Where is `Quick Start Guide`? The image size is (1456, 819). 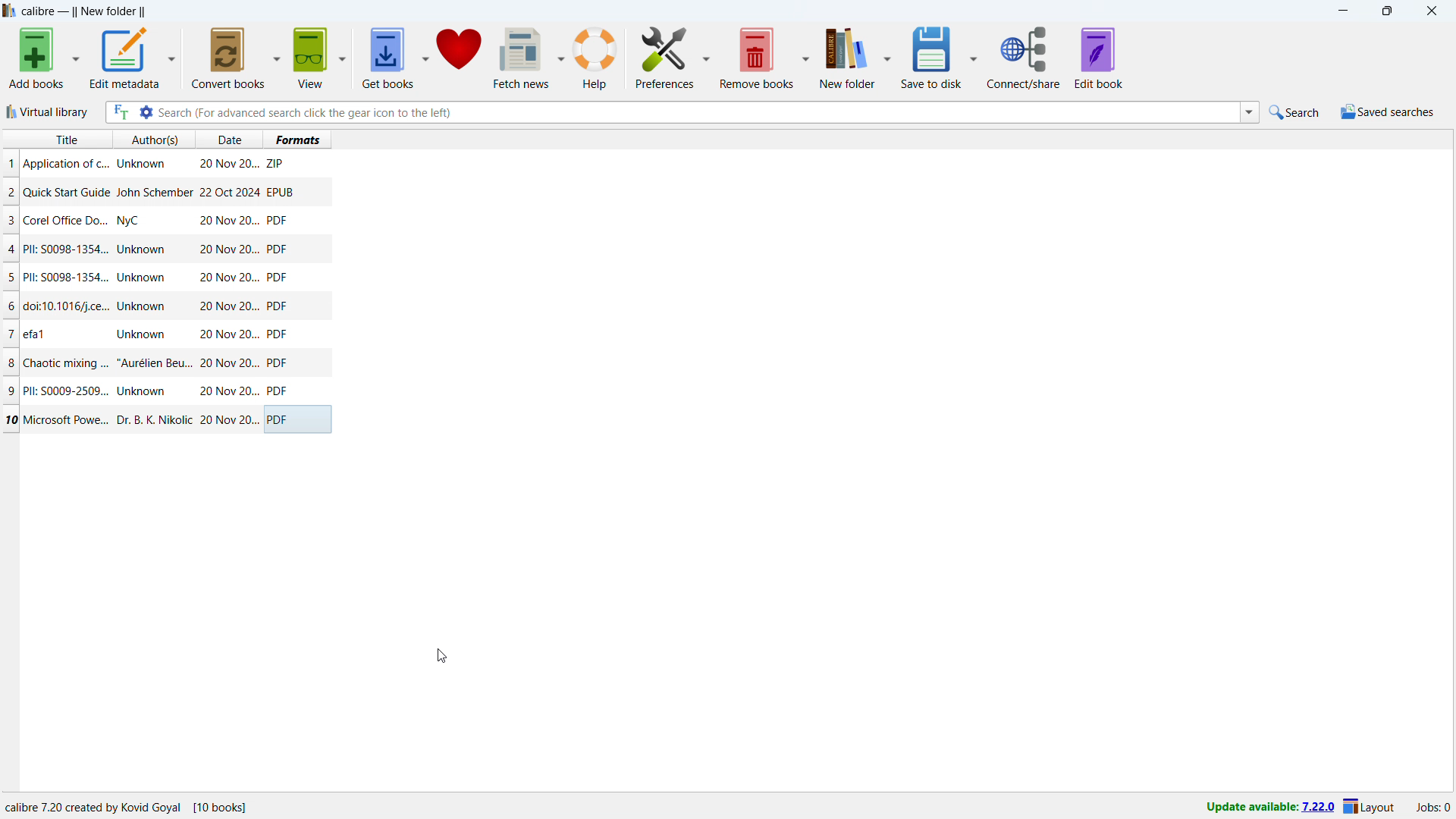
Quick Start Guide is located at coordinates (67, 193).